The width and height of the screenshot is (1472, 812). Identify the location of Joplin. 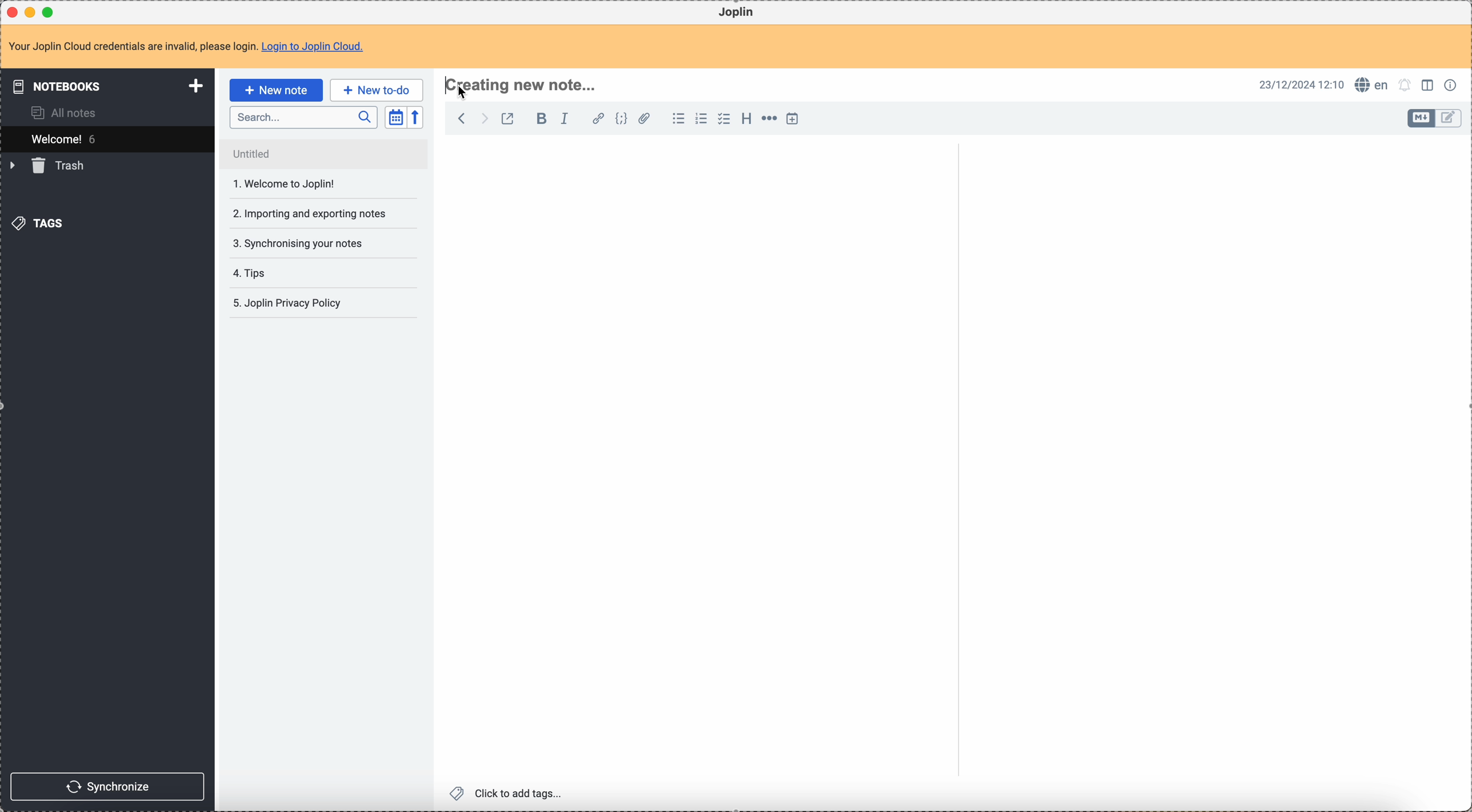
(738, 13).